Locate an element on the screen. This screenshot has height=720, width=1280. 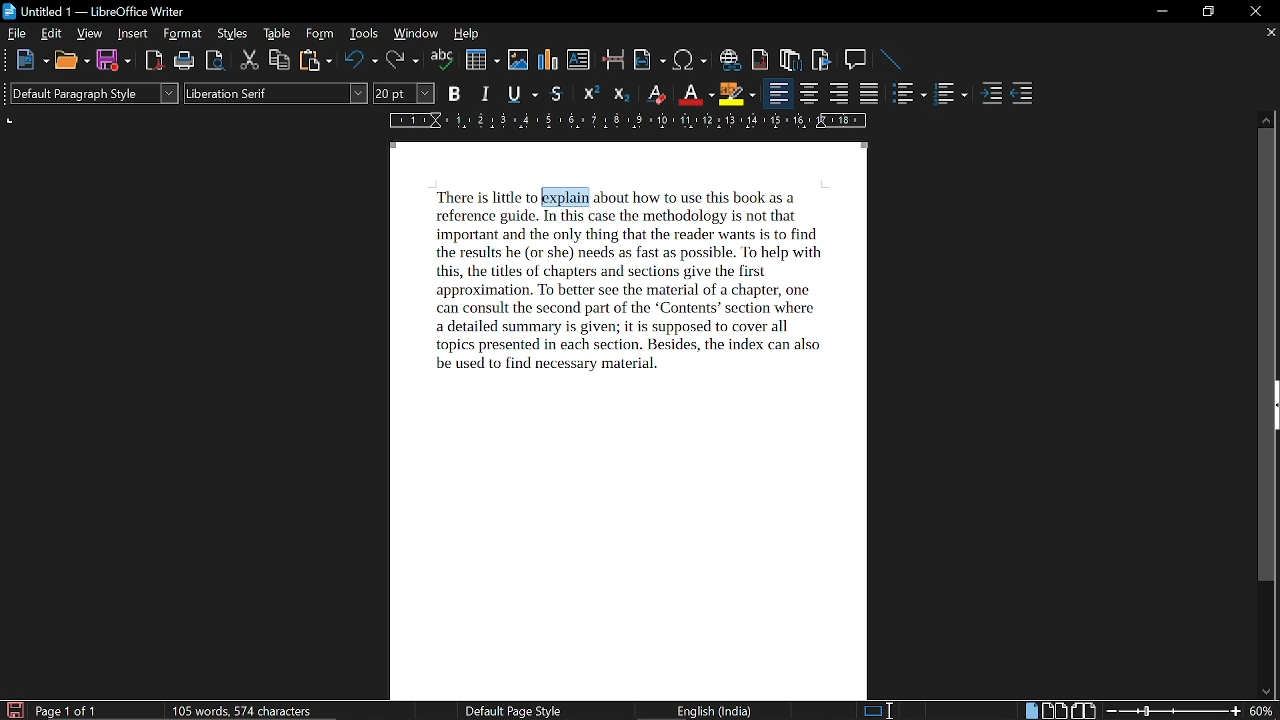
toggle unordered list is located at coordinates (950, 95).